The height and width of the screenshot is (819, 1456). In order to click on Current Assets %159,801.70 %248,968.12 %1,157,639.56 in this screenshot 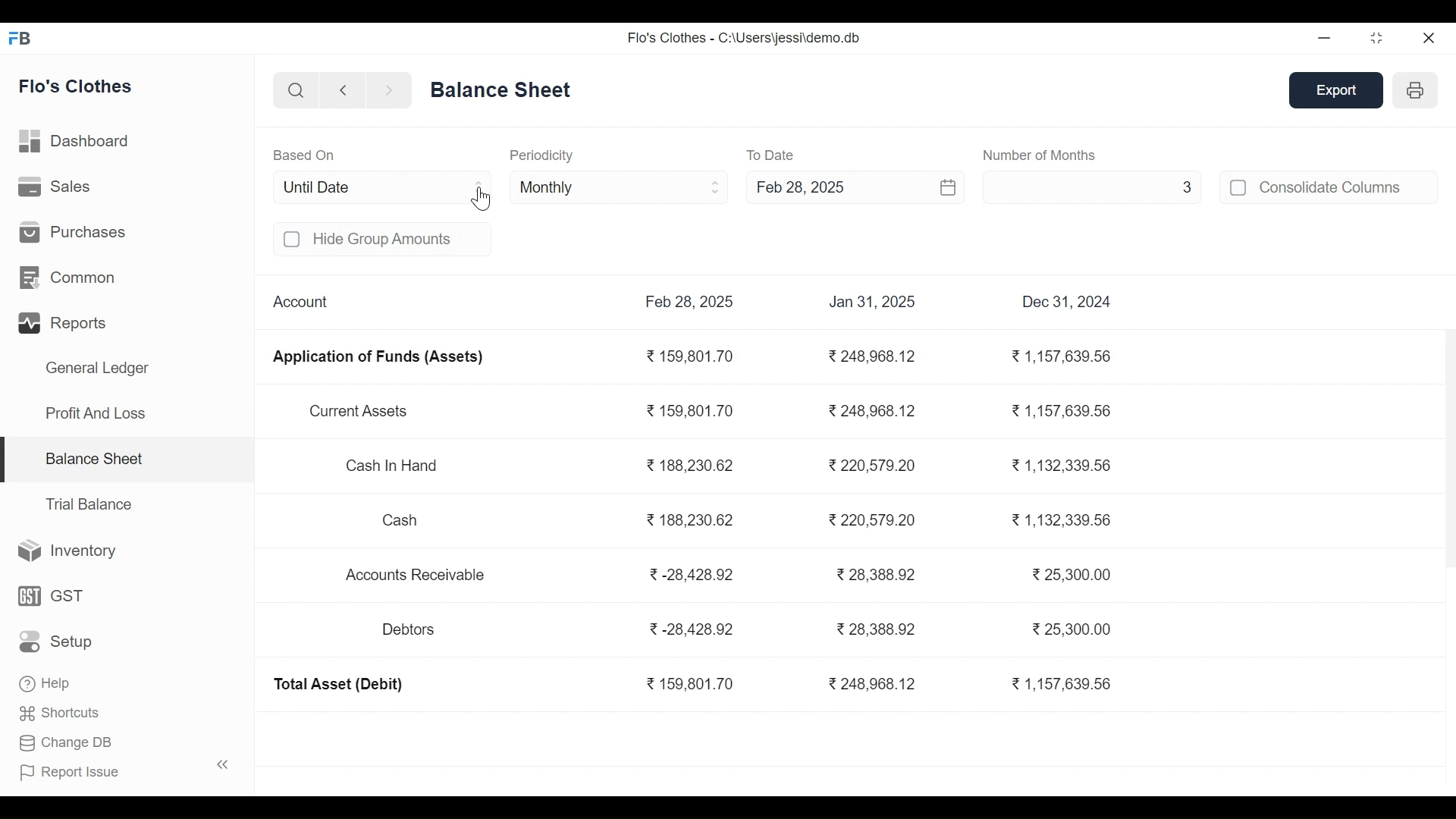, I will do `click(710, 413)`.